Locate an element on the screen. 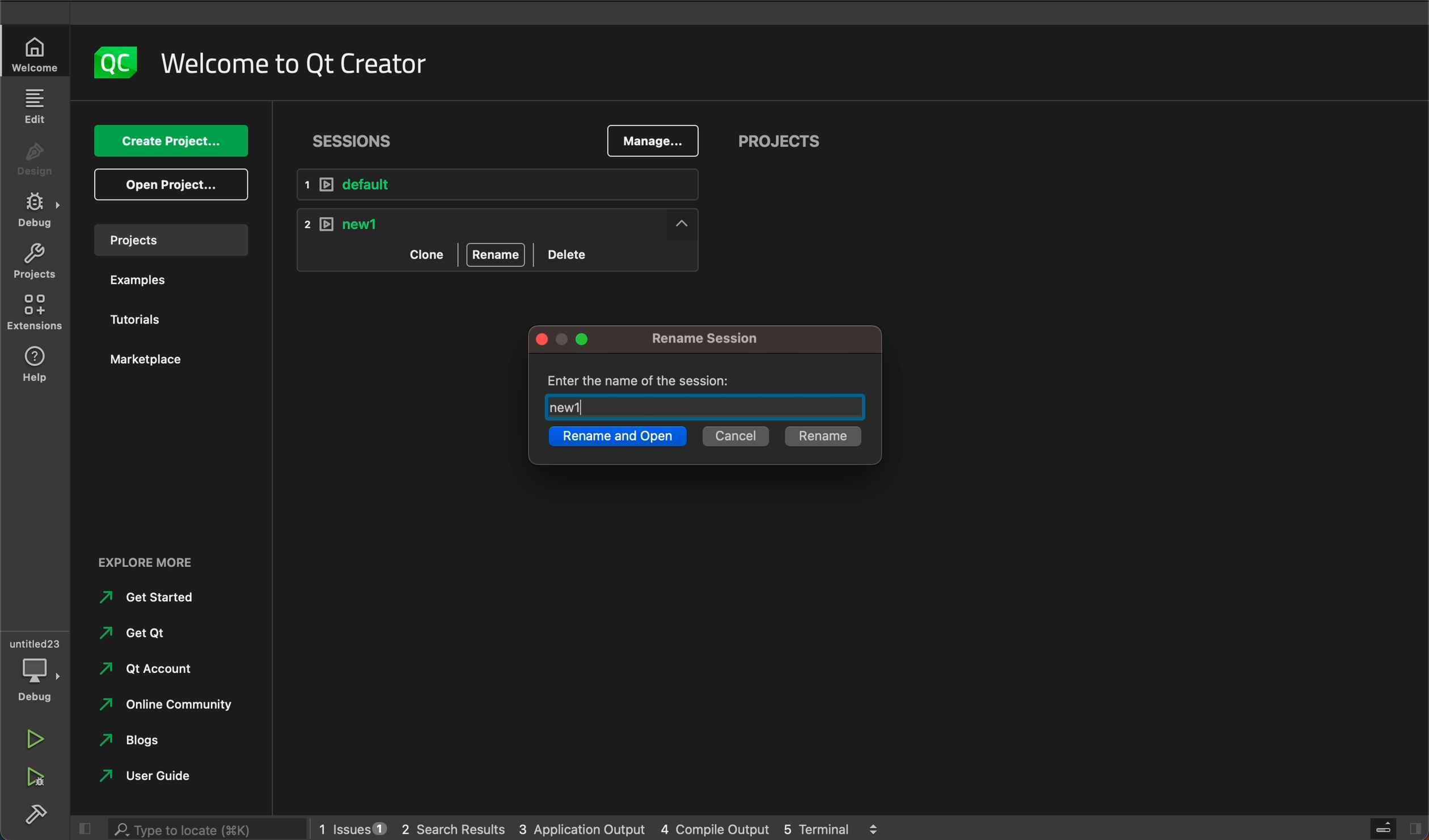 The width and height of the screenshot is (1429, 840). logs is located at coordinates (597, 826).